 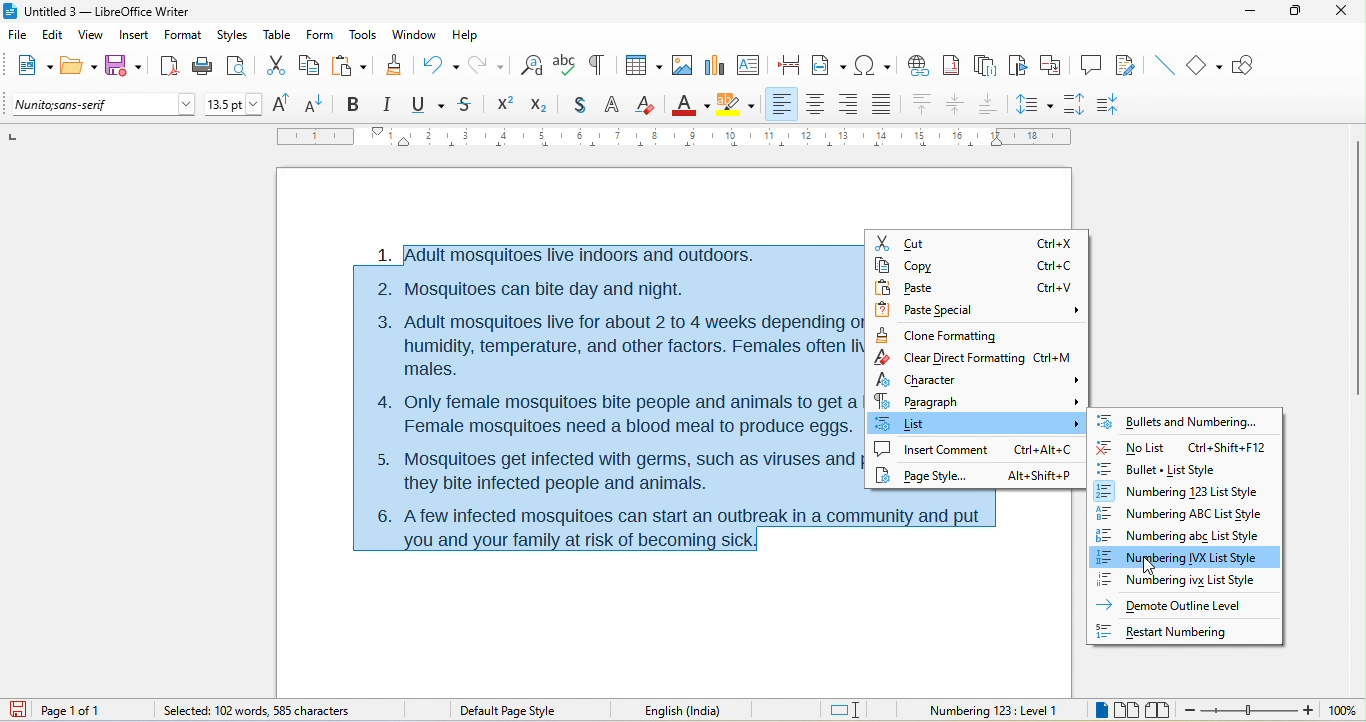 I want to click on default page style, so click(x=509, y=710).